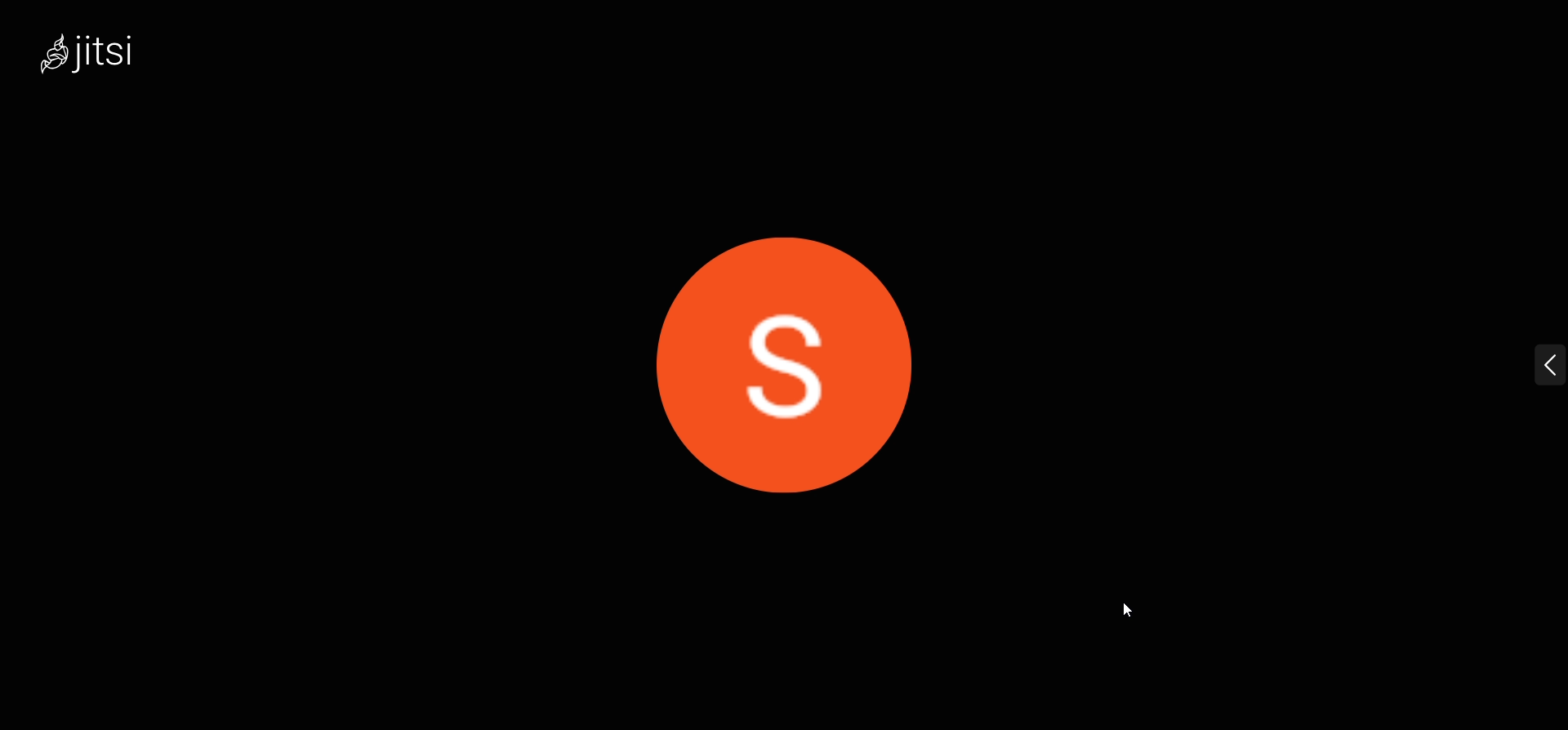 The width and height of the screenshot is (1568, 730). Describe the element at coordinates (1524, 368) in the screenshot. I see `Expand` at that location.